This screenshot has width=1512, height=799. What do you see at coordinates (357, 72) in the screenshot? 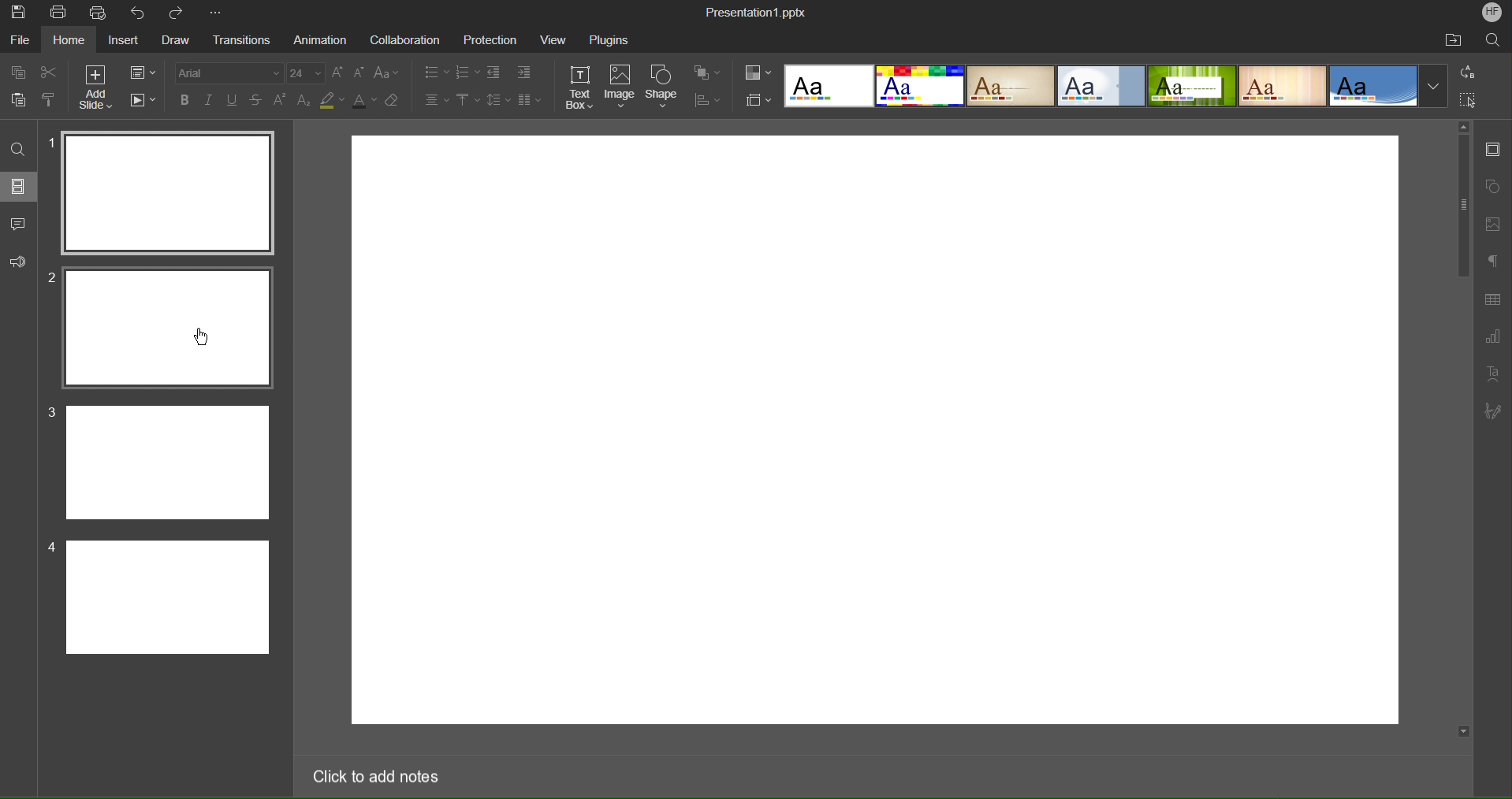
I see `decrease font size` at bounding box center [357, 72].